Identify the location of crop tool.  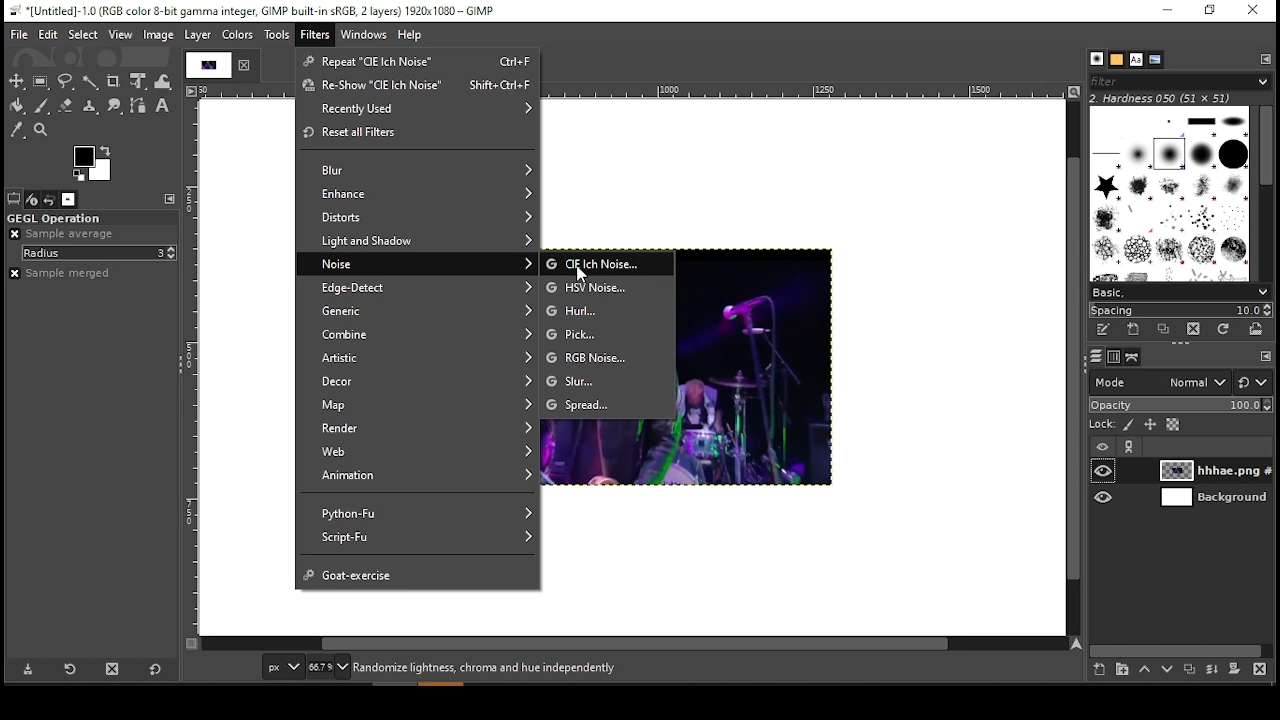
(114, 81).